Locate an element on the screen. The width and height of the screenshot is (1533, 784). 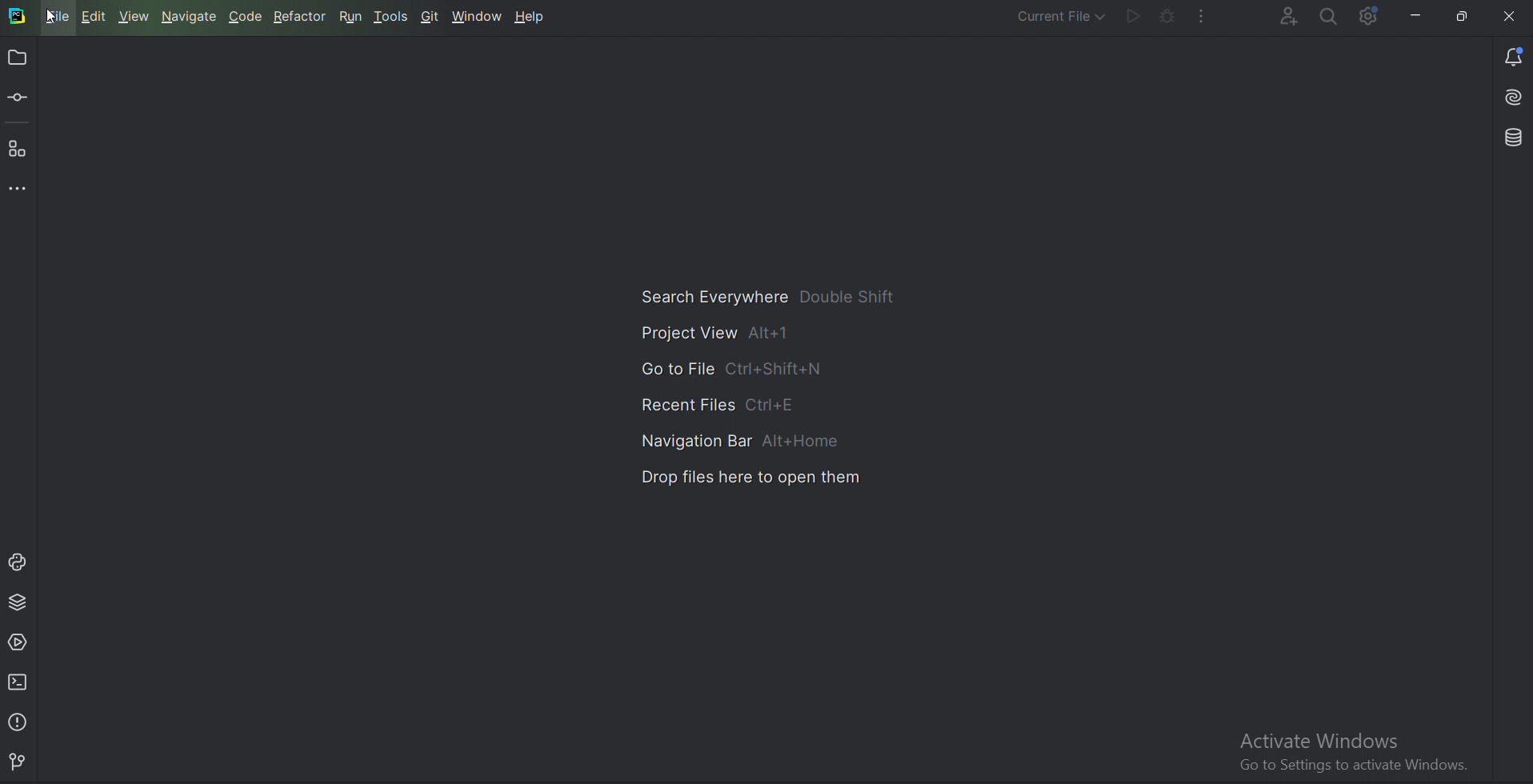
Pycharm is located at coordinates (18, 17).